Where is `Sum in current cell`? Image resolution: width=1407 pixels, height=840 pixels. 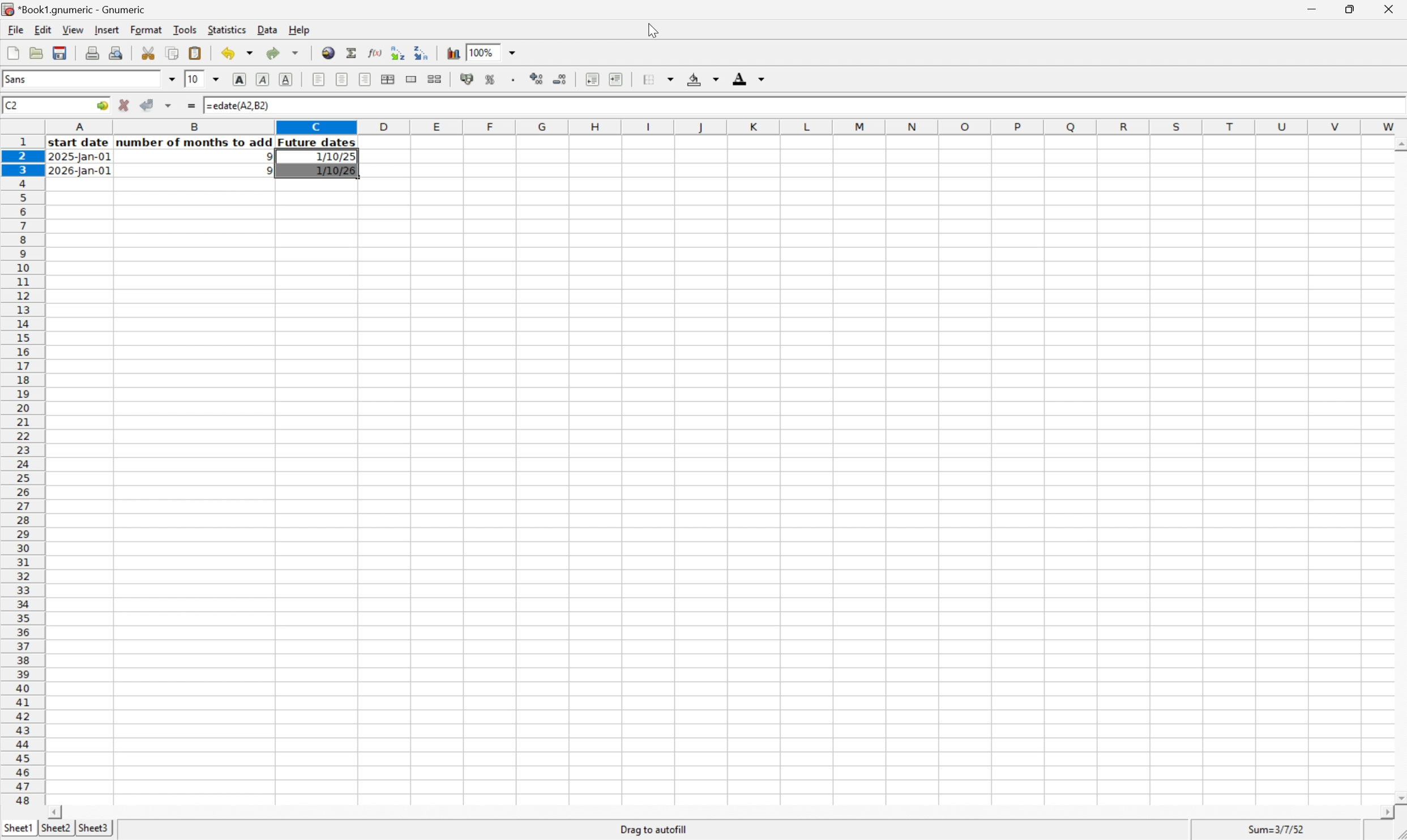
Sum in current cell is located at coordinates (352, 52).